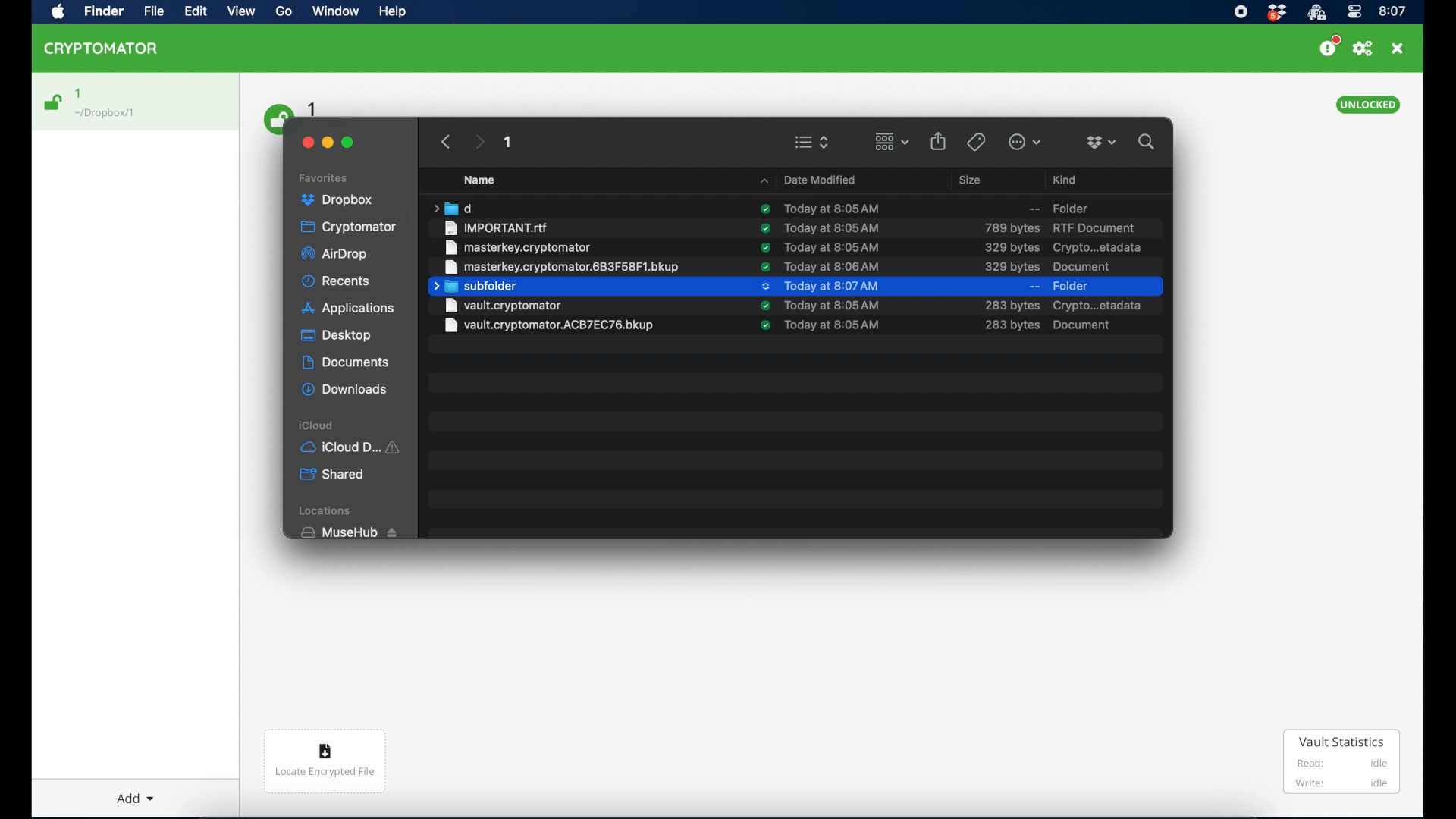  What do you see at coordinates (1398, 49) in the screenshot?
I see `close` at bounding box center [1398, 49].